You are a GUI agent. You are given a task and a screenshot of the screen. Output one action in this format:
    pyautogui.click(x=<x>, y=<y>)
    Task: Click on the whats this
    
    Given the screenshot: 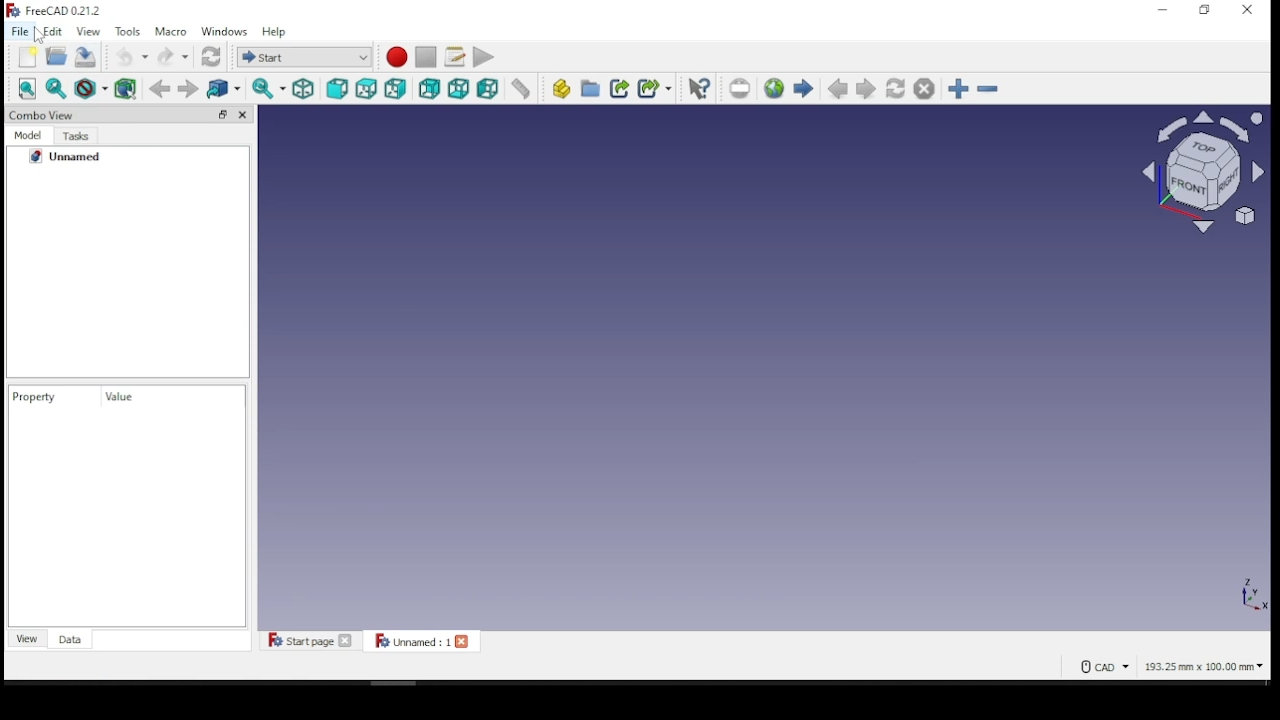 What is the action you would take?
    pyautogui.click(x=699, y=88)
    